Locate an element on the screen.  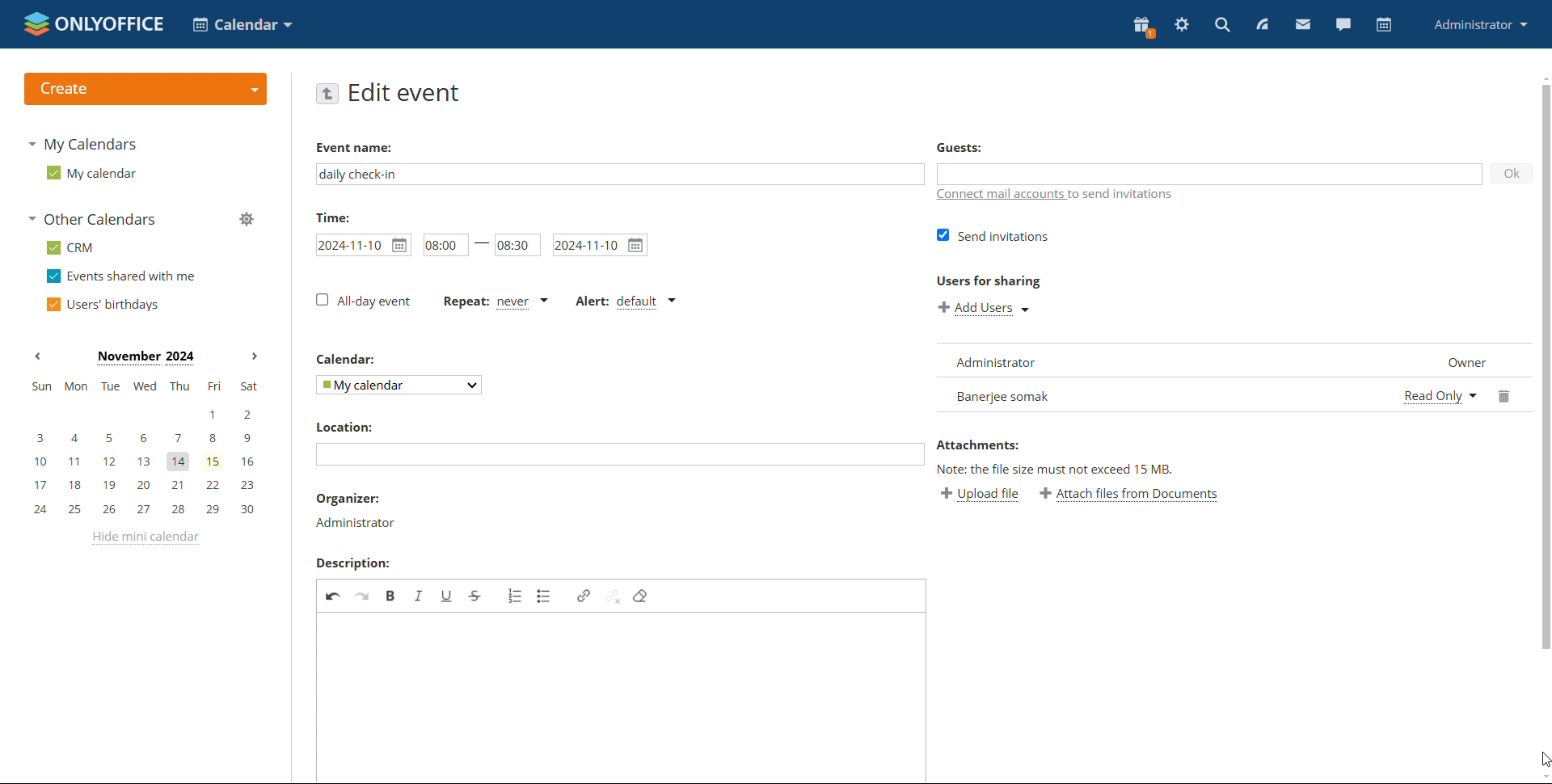
Note is located at coordinates (1057, 470).